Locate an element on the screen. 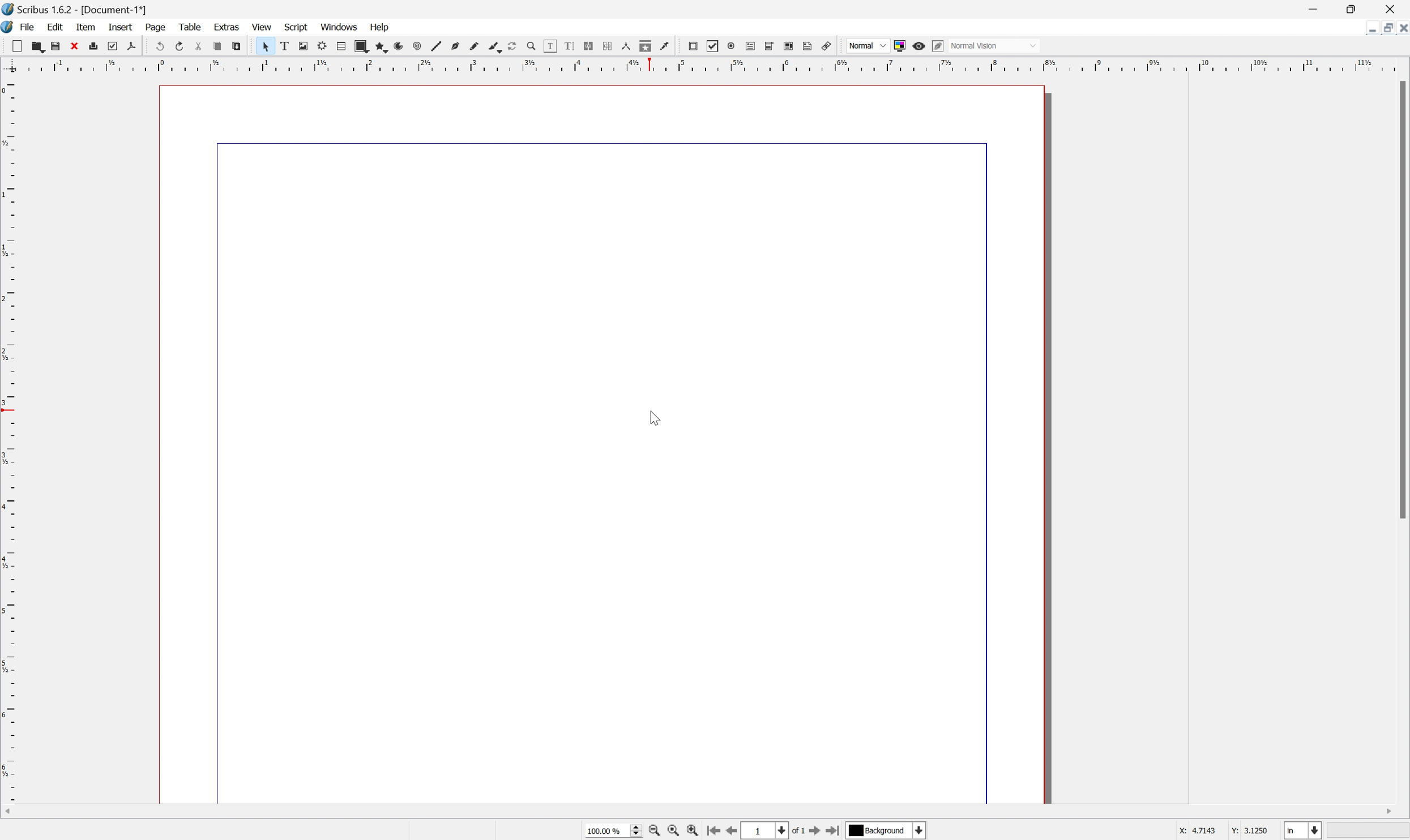  Minimize is located at coordinates (1370, 32).